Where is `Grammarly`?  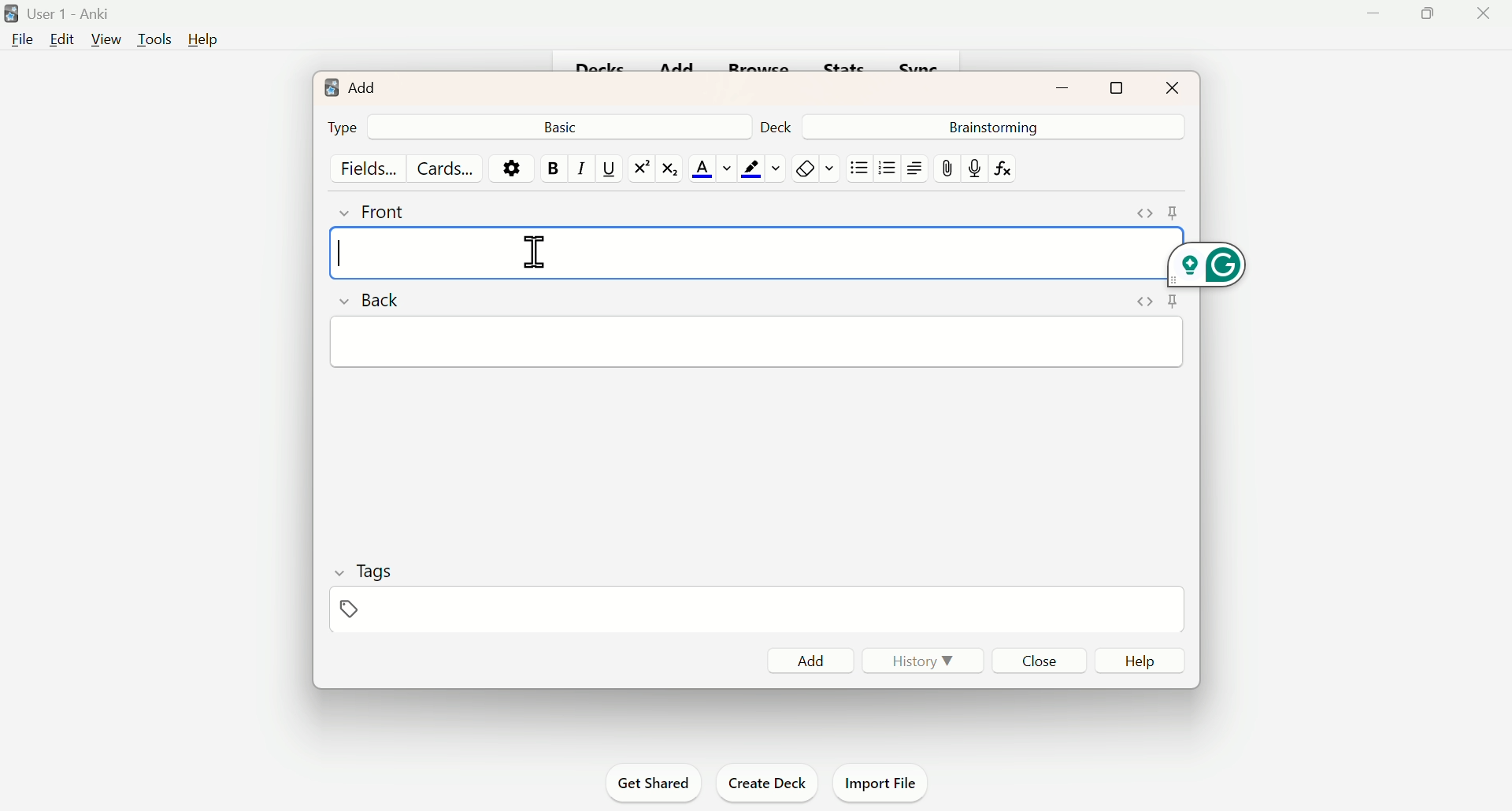
Grammarly is located at coordinates (1224, 262).